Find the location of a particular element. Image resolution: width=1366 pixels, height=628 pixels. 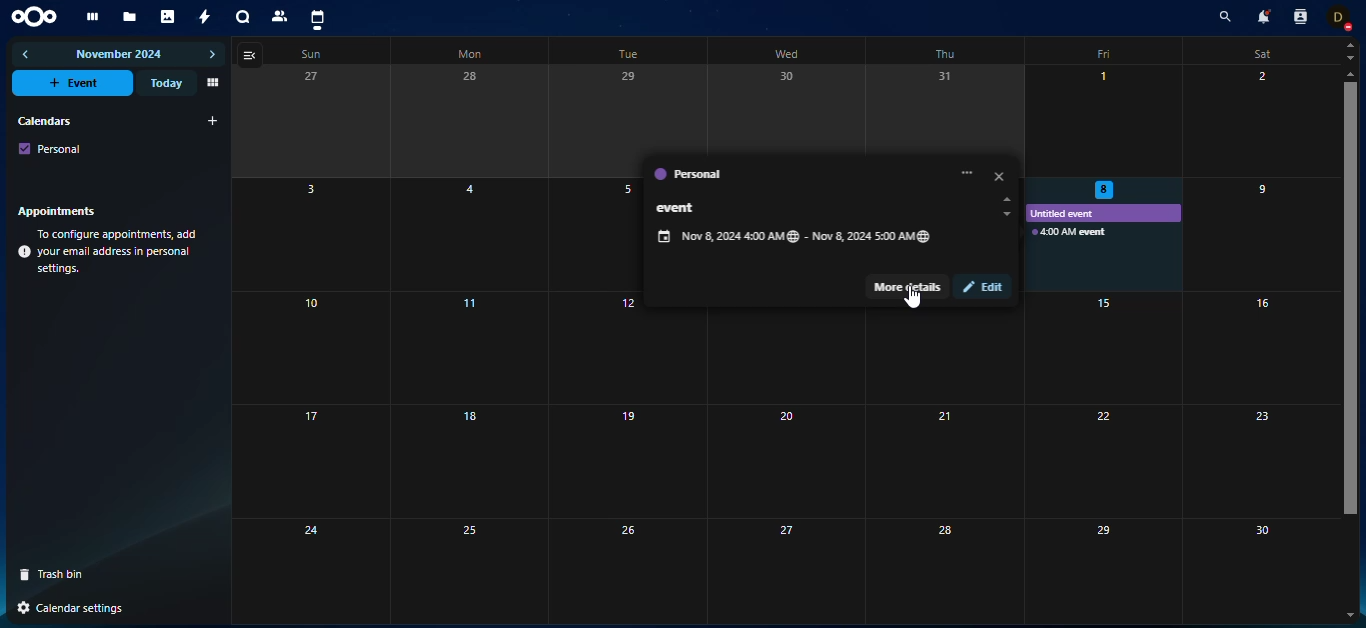

today is located at coordinates (164, 83).